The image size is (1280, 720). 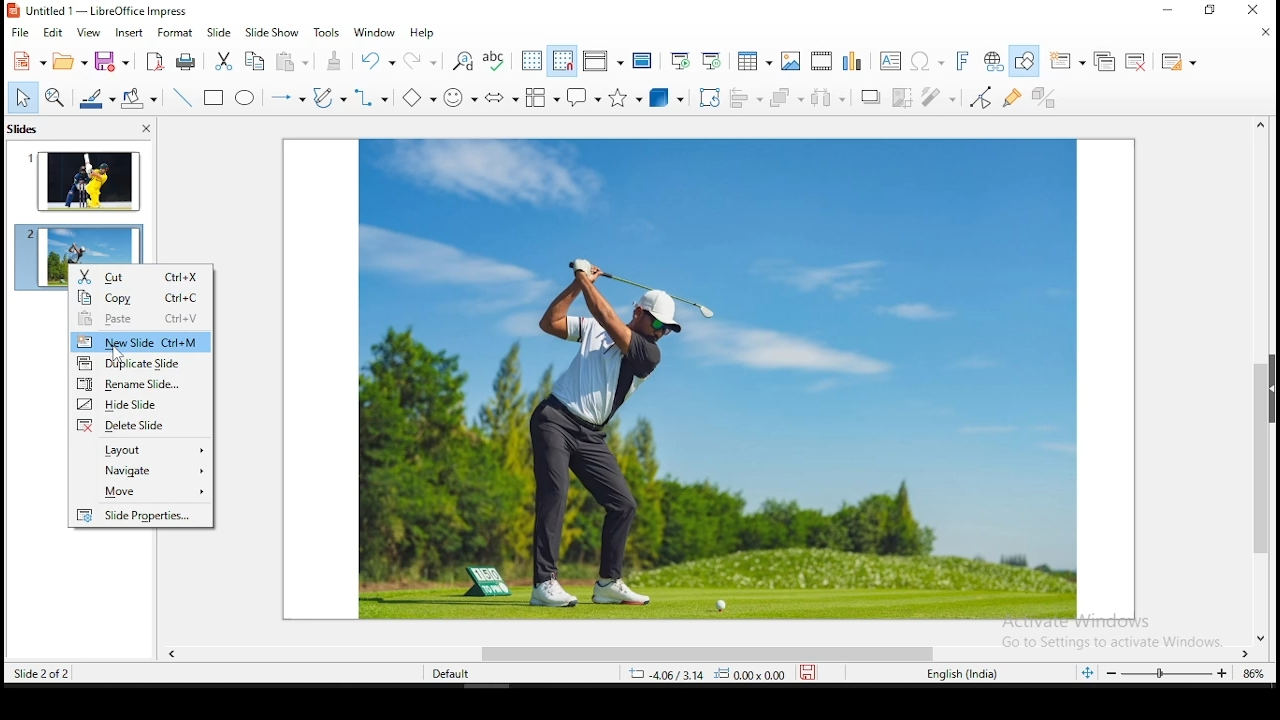 What do you see at coordinates (980, 97) in the screenshot?
I see `toggle point edit mode` at bounding box center [980, 97].